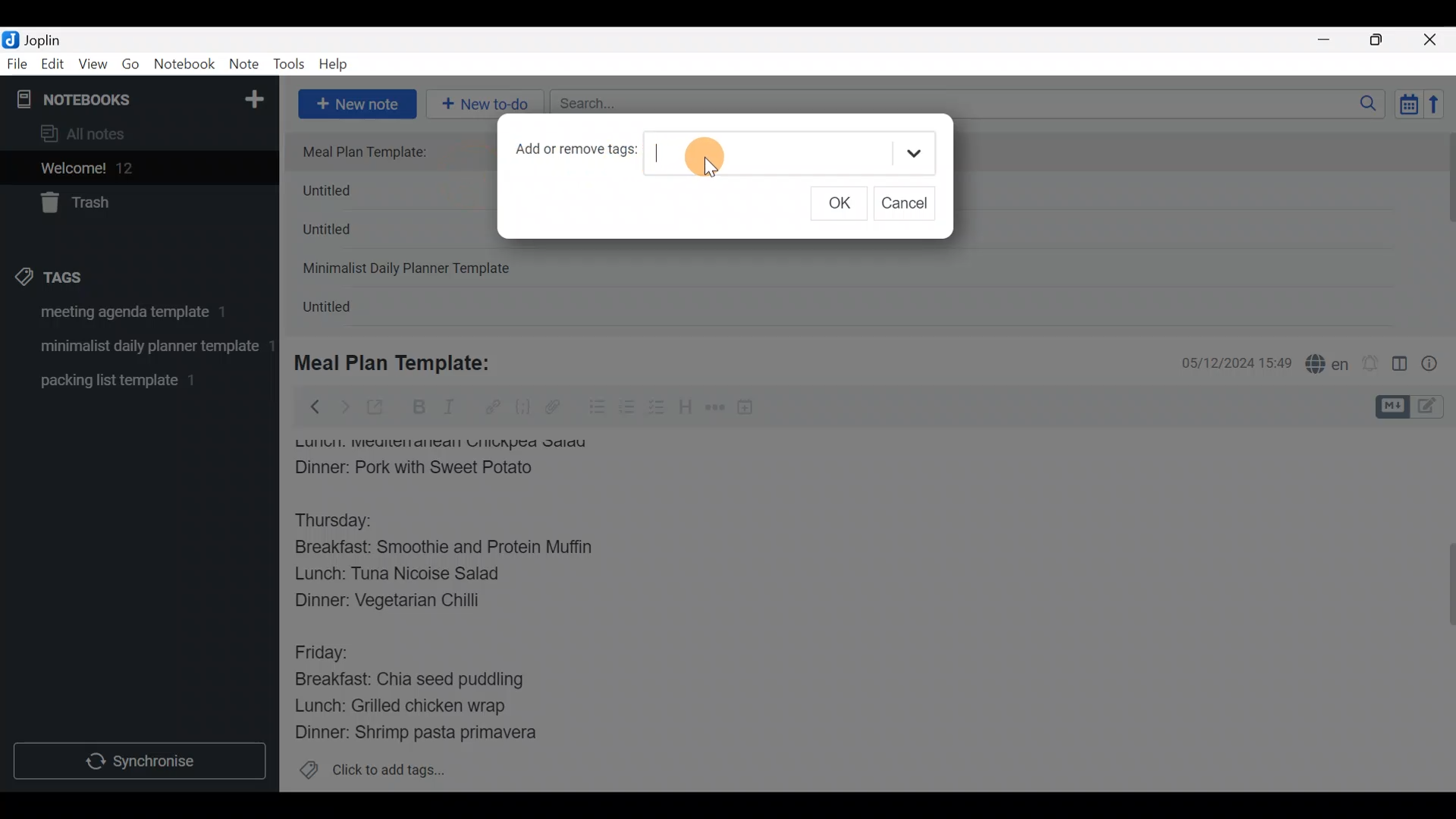 The height and width of the screenshot is (819, 1456). I want to click on Friday:, so click(326, 651).